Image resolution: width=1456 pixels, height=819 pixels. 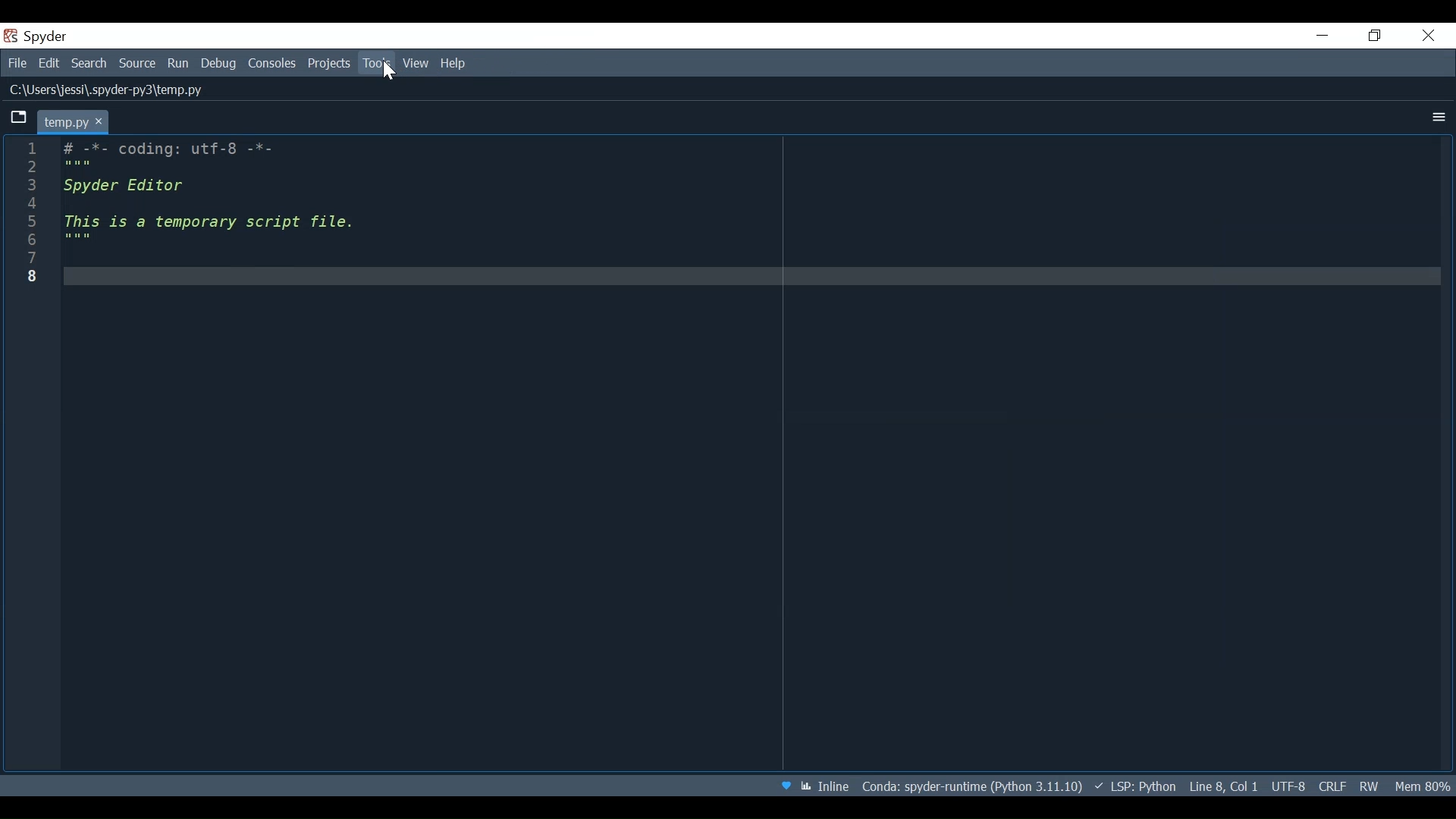 What do you see at coordinates (224, 195) in the screenshot?
I see `Editor` at bounding box center [224, 195].